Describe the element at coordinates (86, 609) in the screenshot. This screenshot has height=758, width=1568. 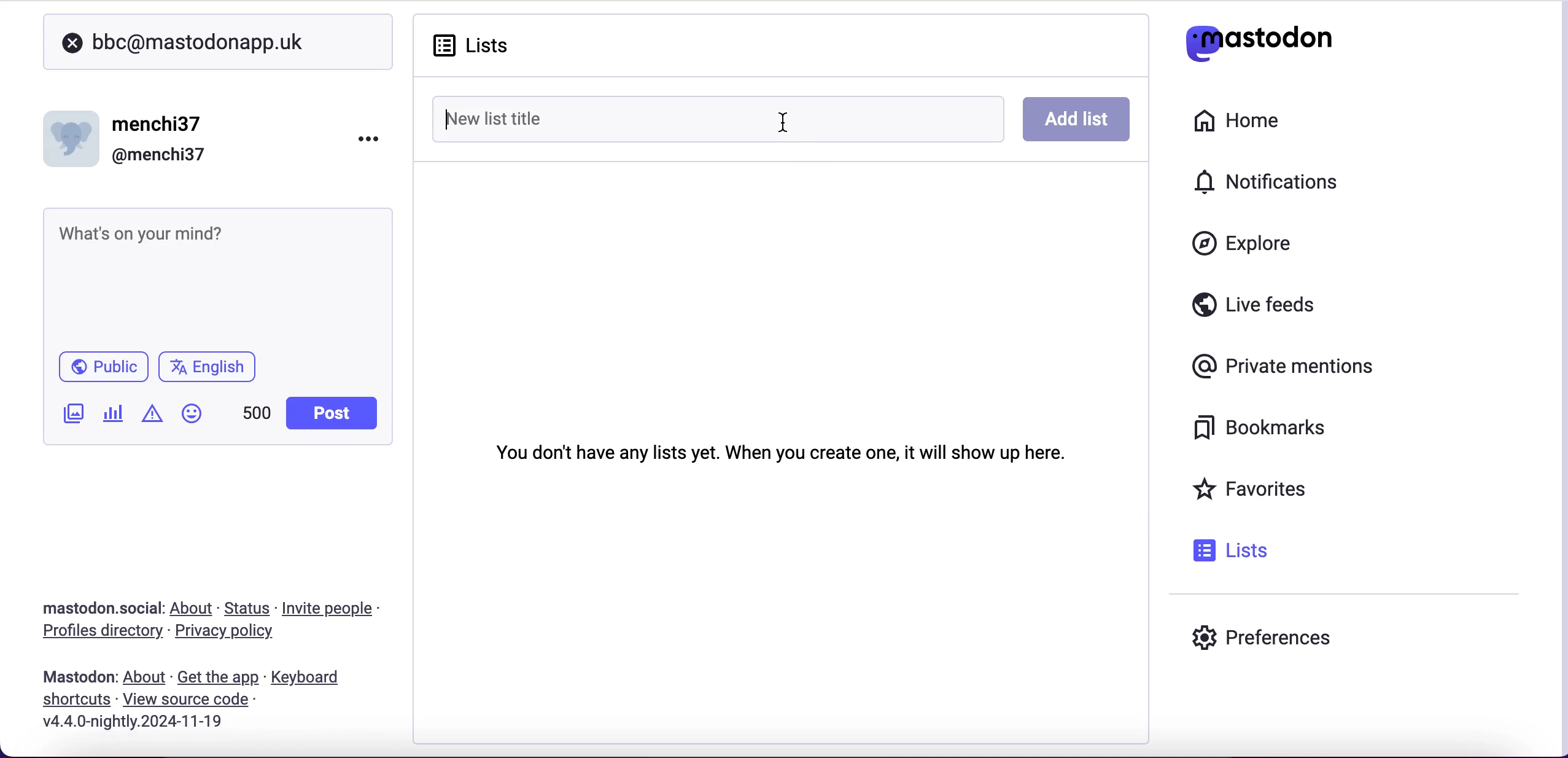
I see `mastodon social` at that location.